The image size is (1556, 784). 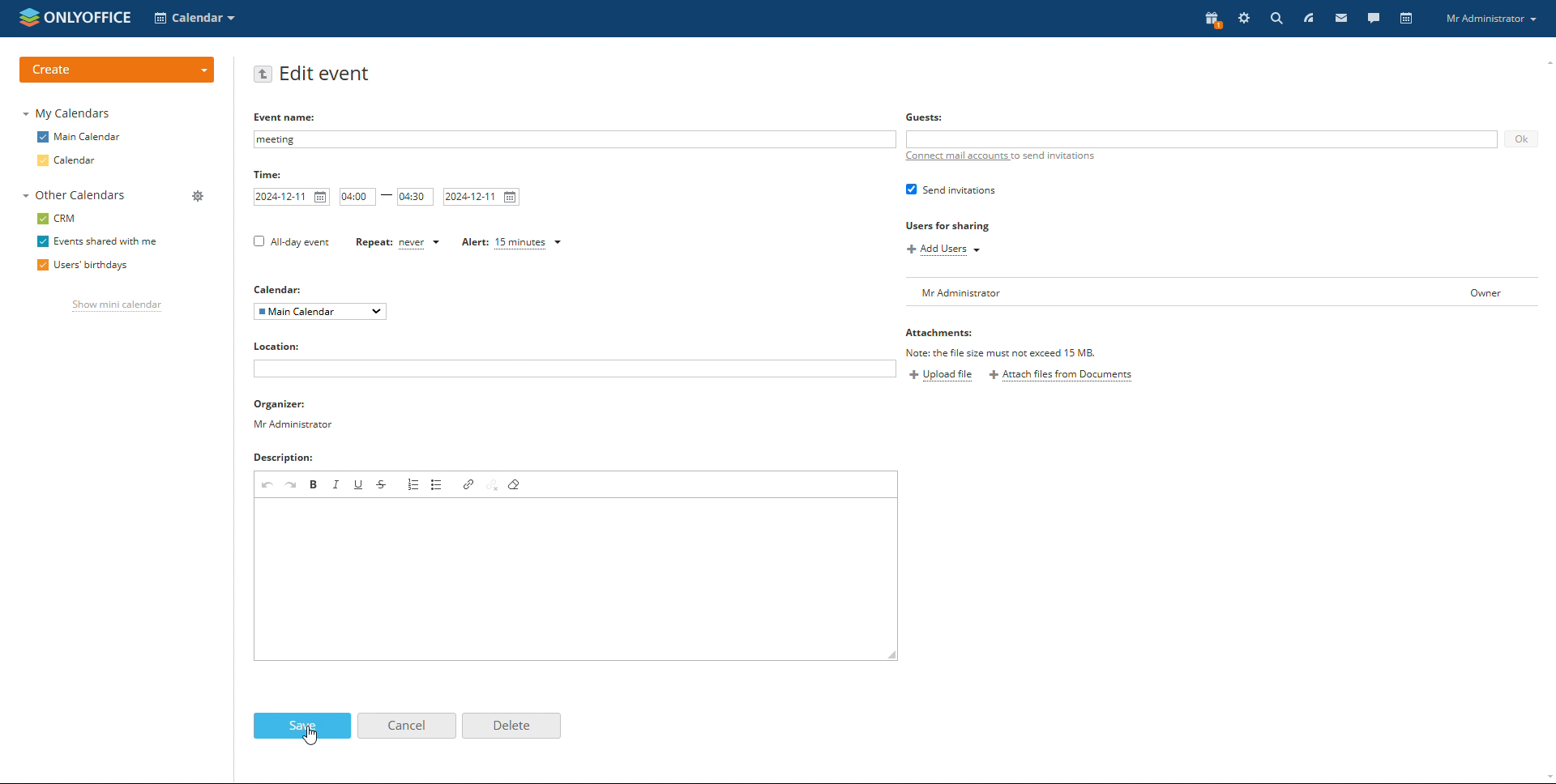 I want to click on end date, so click(x=481, y=197).